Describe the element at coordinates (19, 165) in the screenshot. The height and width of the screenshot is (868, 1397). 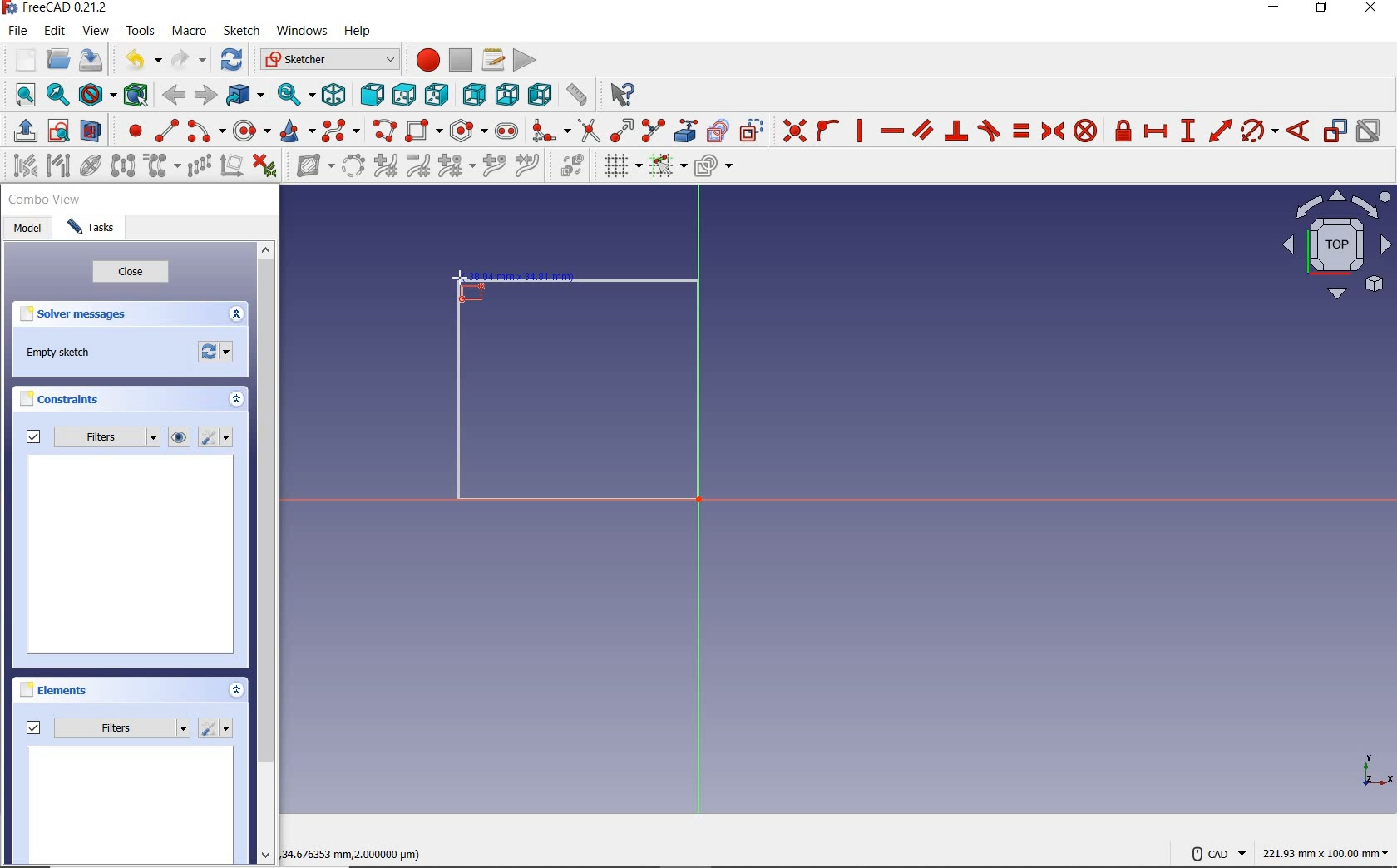
I see `select associated constraints` at that location.